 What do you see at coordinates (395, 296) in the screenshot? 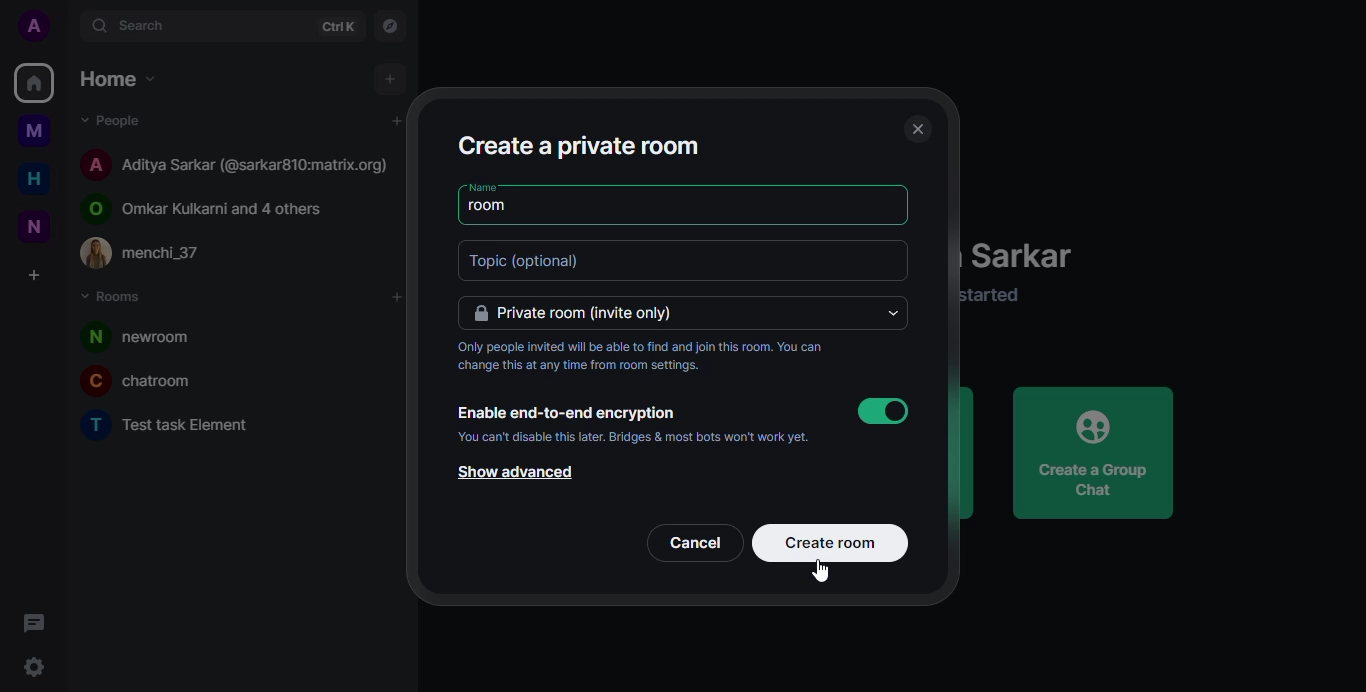
I see `add` at bounding box center [395, 296].